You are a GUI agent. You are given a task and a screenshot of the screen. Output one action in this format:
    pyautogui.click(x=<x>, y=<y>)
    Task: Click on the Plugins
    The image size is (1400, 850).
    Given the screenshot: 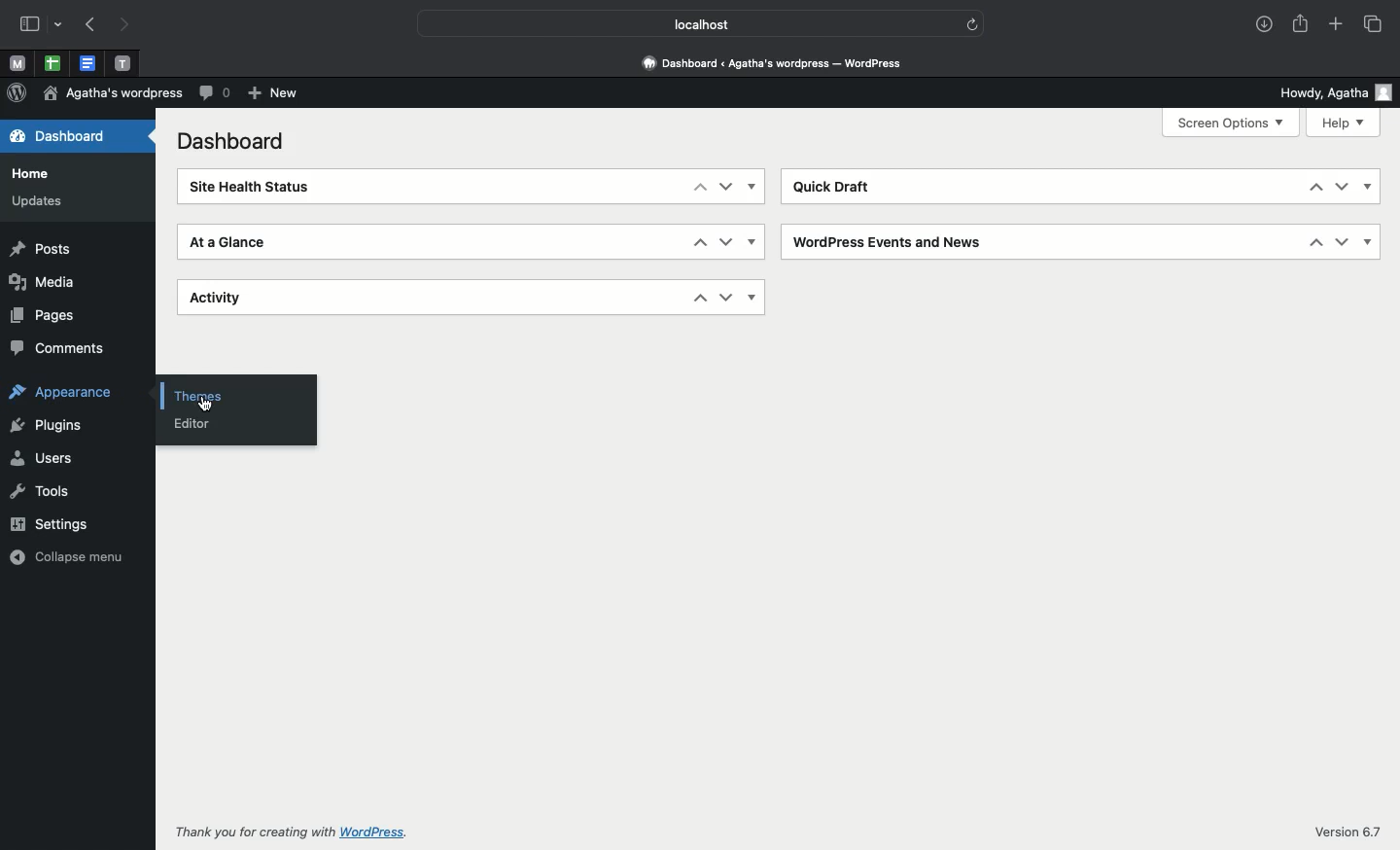 What is the action you would take?
    pyautogui.click(x=47, y=426)
    